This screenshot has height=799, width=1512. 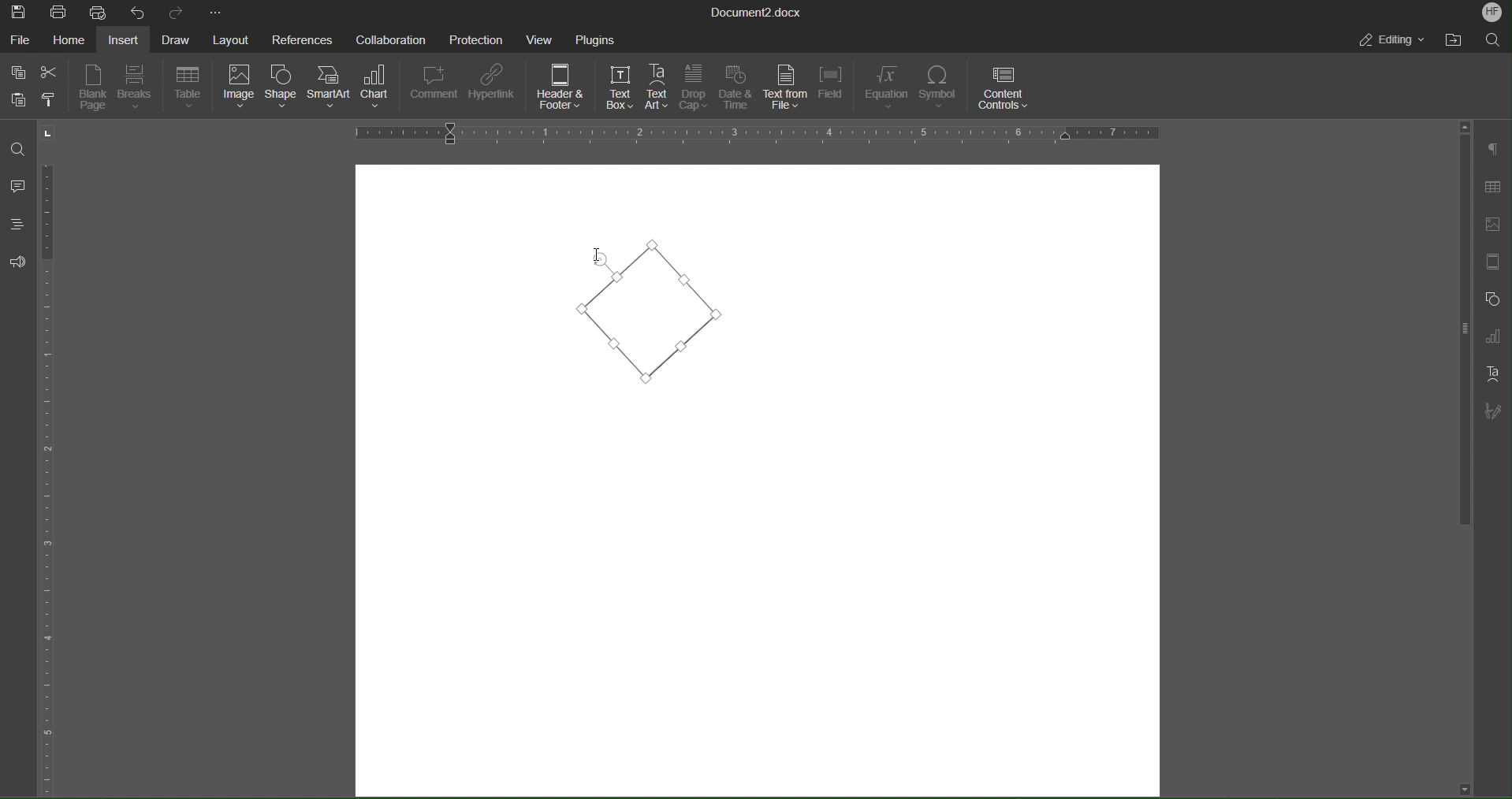 I want to click on File, so click(x=20, y=38).